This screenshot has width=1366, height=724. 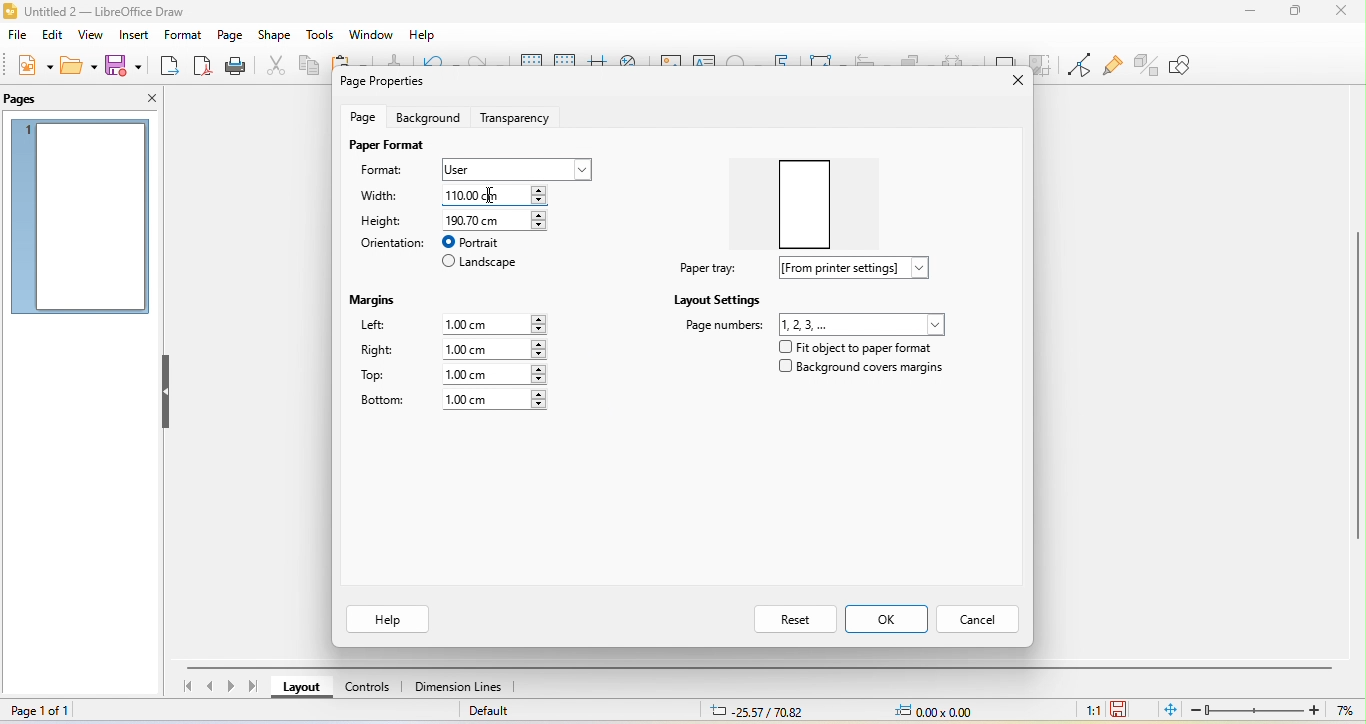 What do you see at coordinates (1147, 63) in the screenshot?
I see `toggle extrusion` at bounding box center [1147, 63].